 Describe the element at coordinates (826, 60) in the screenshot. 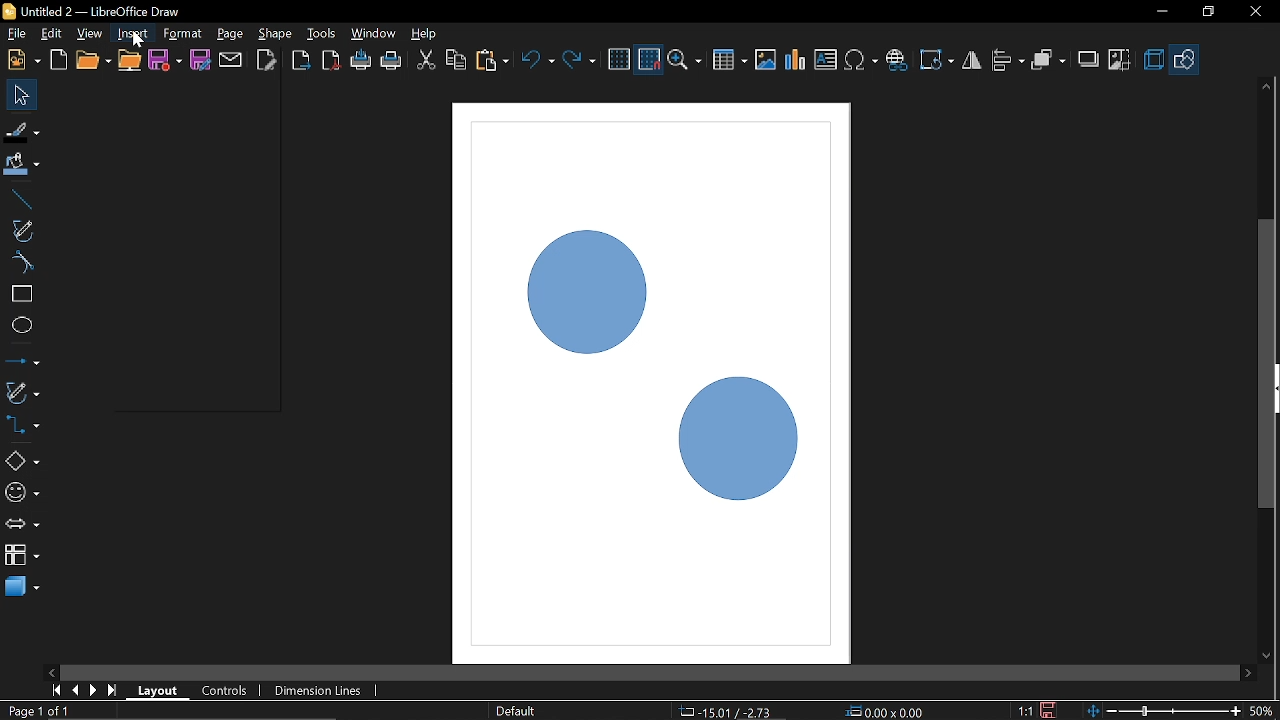

I see `Text` at that location.